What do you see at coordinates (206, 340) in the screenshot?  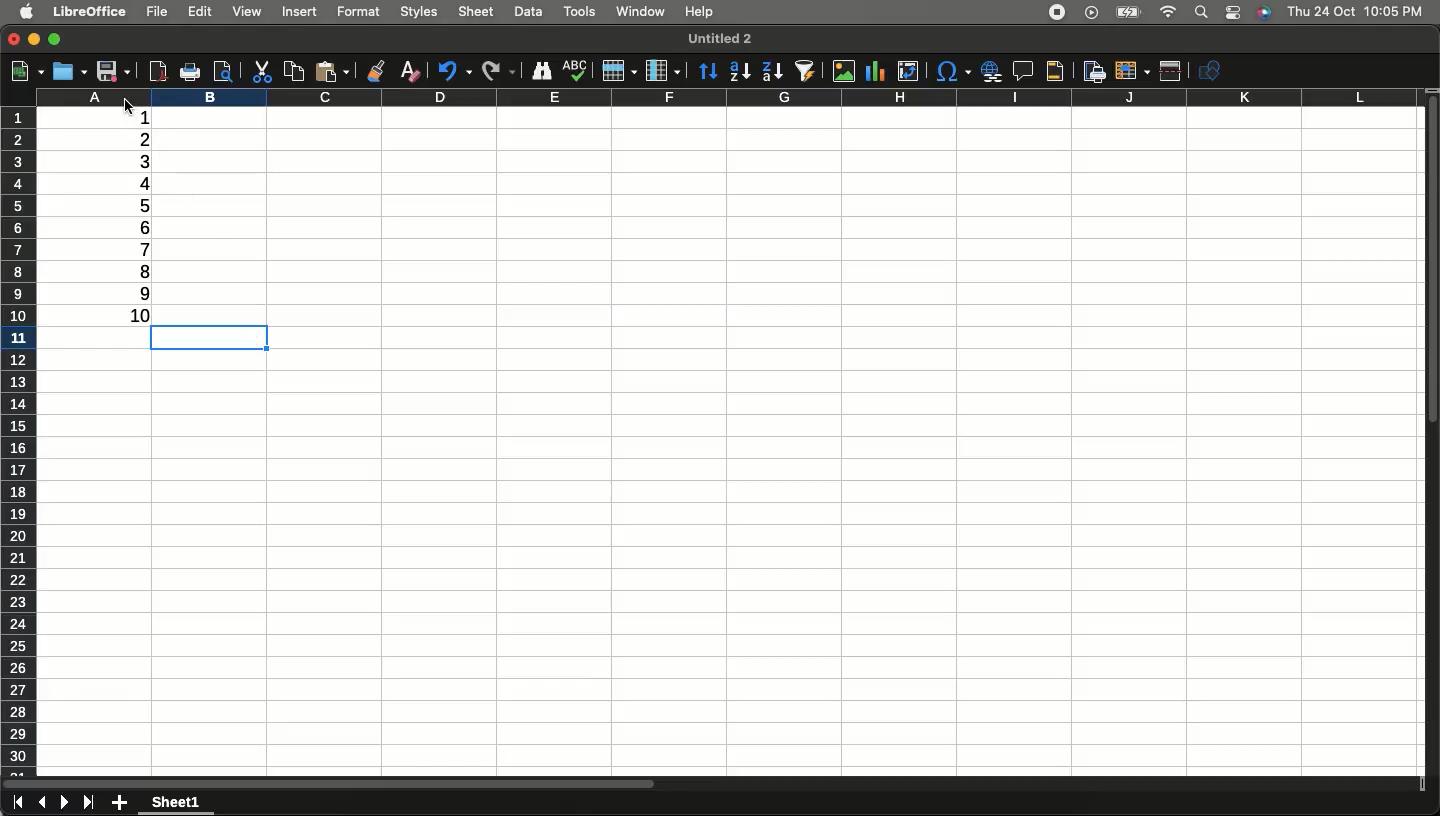 I see `Current cell` at bounding box center [206, 340].